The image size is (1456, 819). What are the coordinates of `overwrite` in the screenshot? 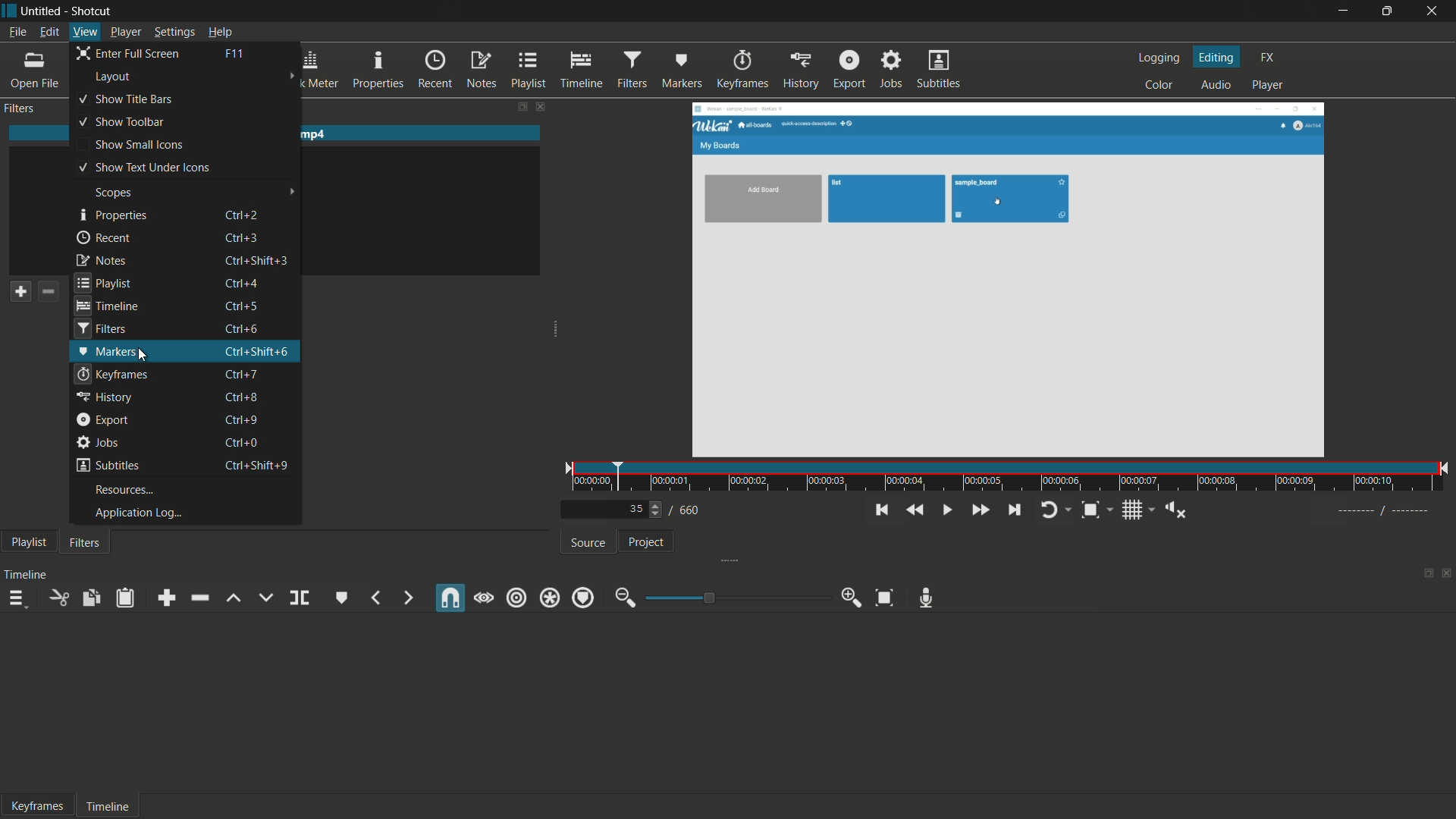 It's located at (265, 598).